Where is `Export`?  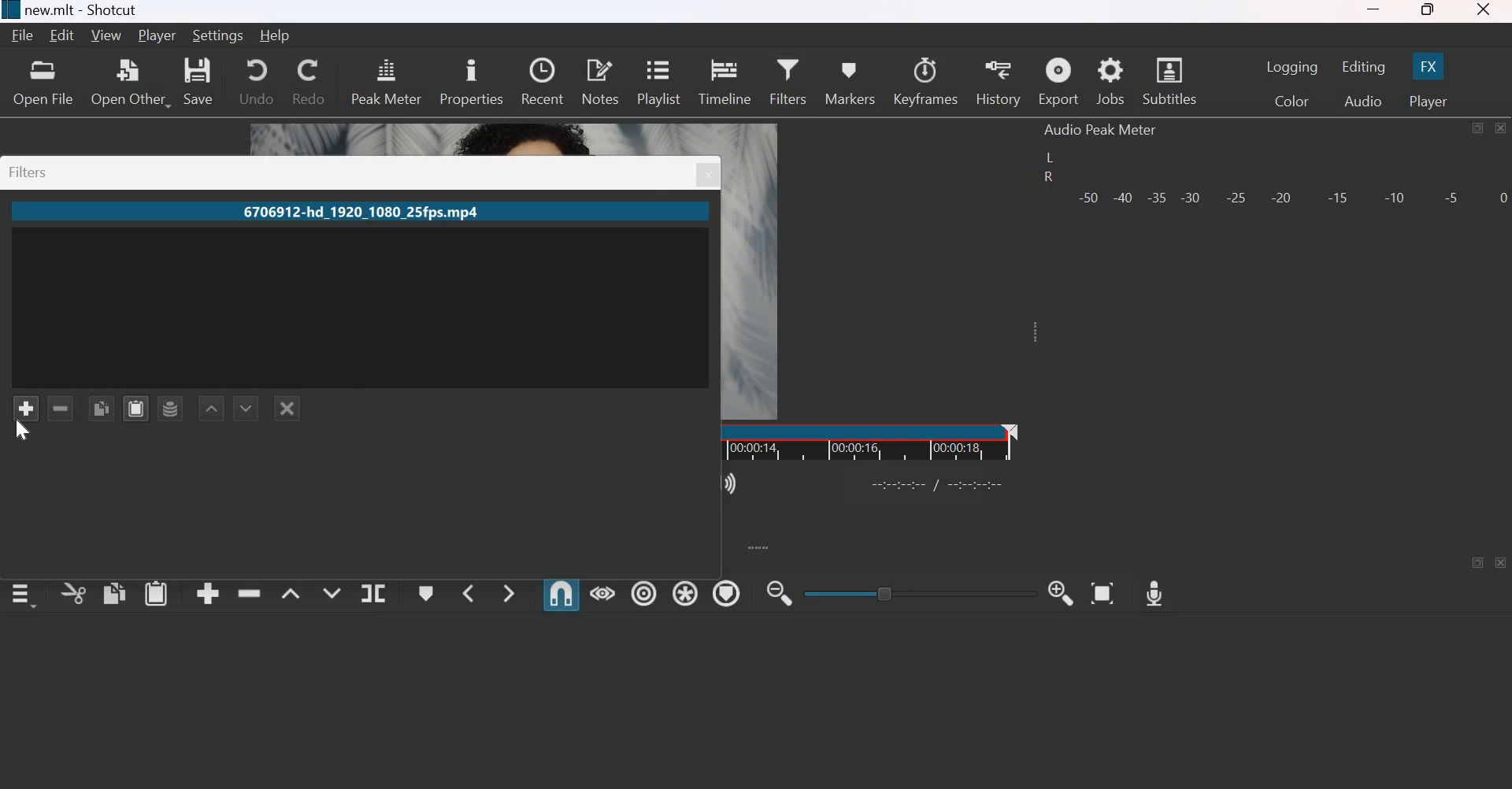
Export is located at coordinates (1058, 83).